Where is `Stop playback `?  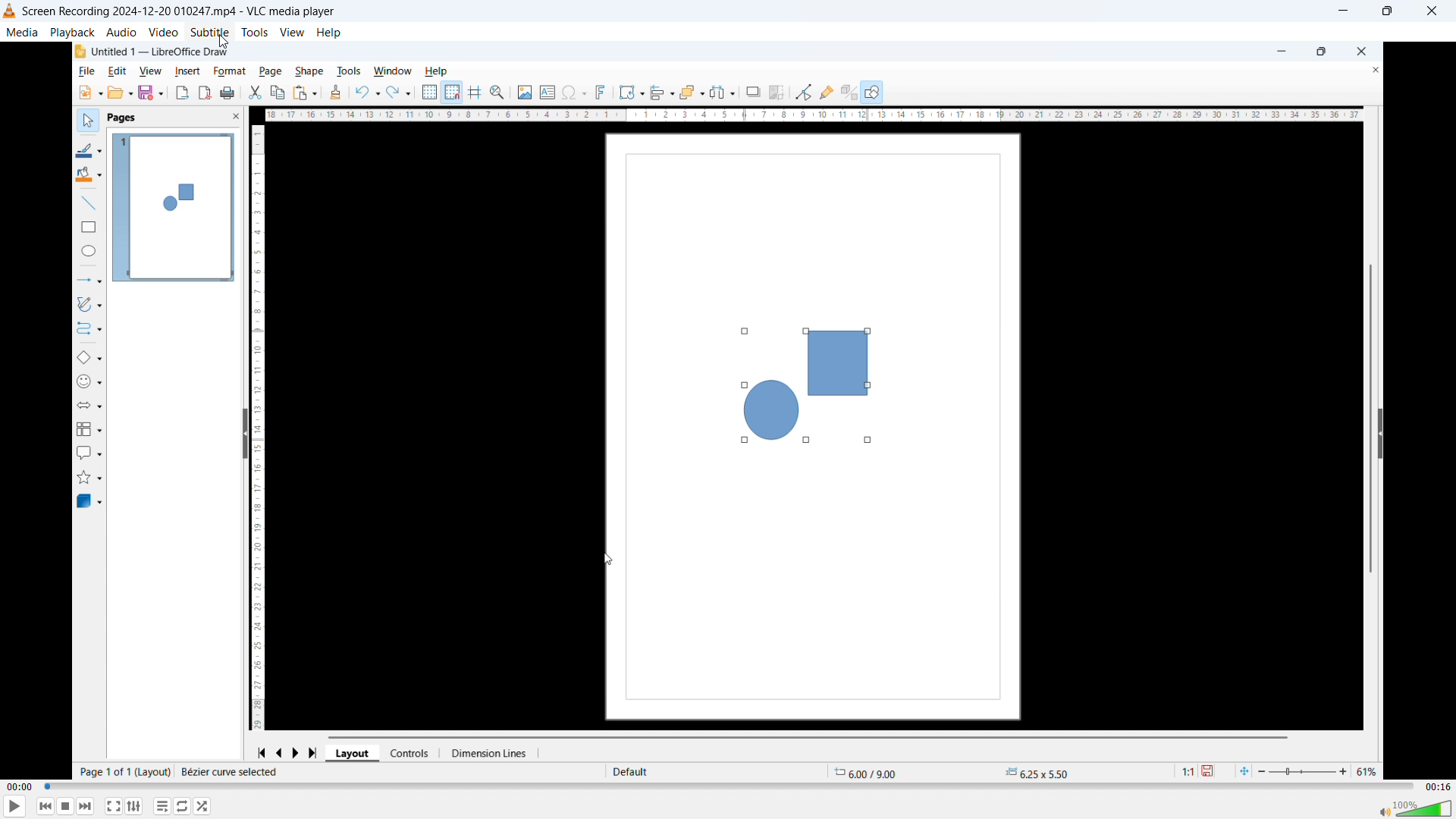
Stop playback  is located at coordinates (67, 806).